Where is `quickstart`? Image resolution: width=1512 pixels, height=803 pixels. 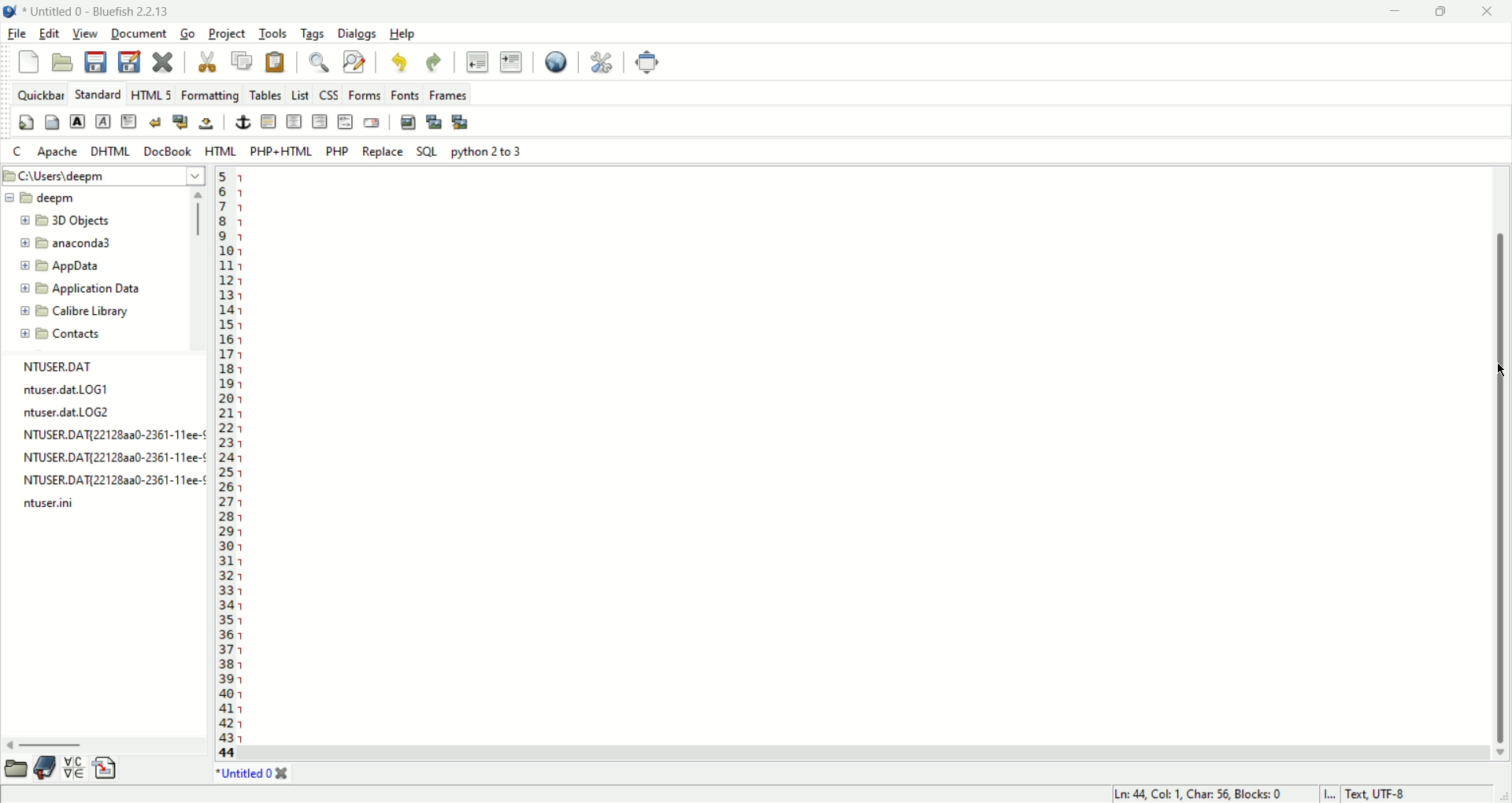 quickstart is located at coordinates (25, 124).